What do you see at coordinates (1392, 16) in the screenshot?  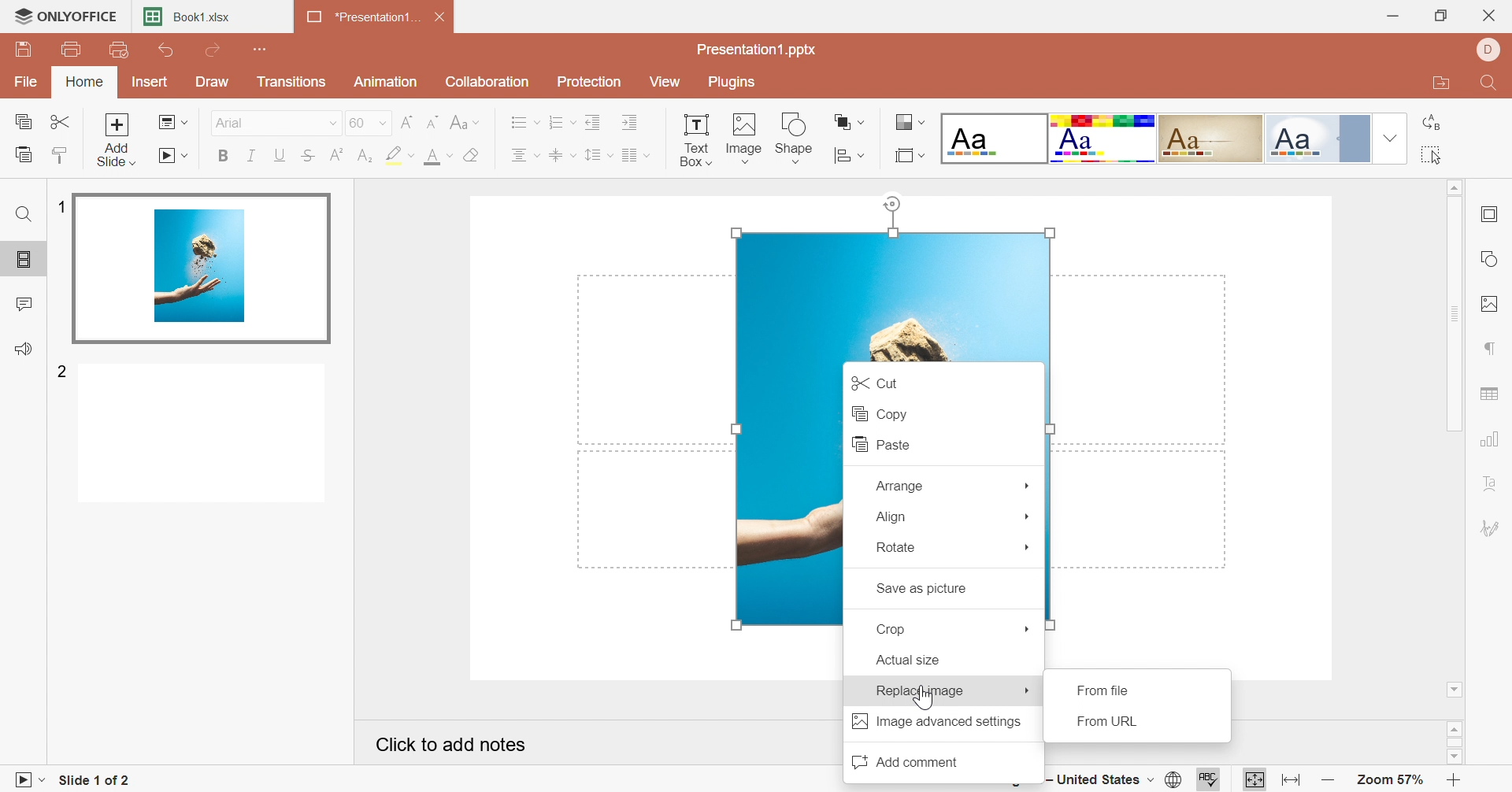 I see `Minimize` at bounding box center [1392, 16].